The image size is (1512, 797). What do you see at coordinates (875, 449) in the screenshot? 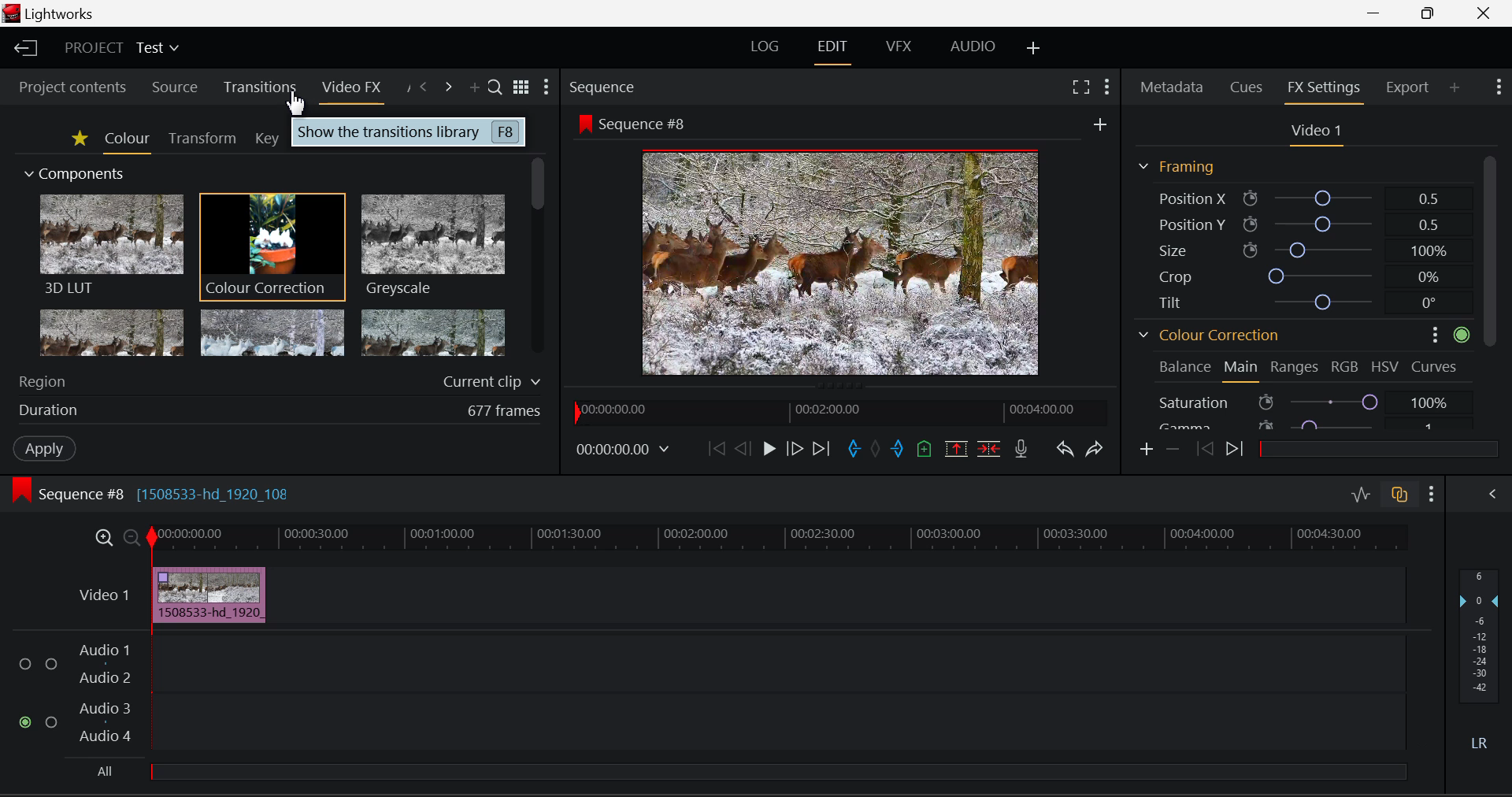
I see `Remove all marks` at bounding box center [875, 449].